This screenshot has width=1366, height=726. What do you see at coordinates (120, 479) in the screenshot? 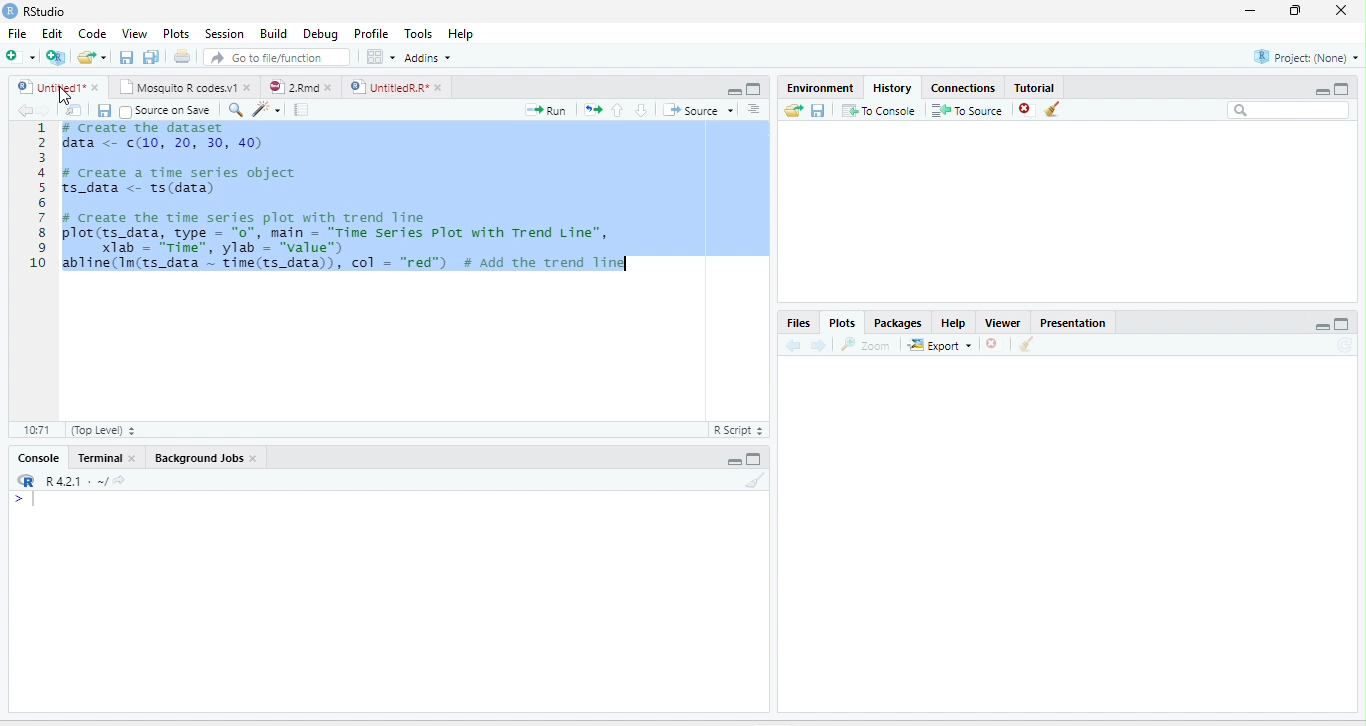
I see `View the current working directory` at bounding box center [120, 479].